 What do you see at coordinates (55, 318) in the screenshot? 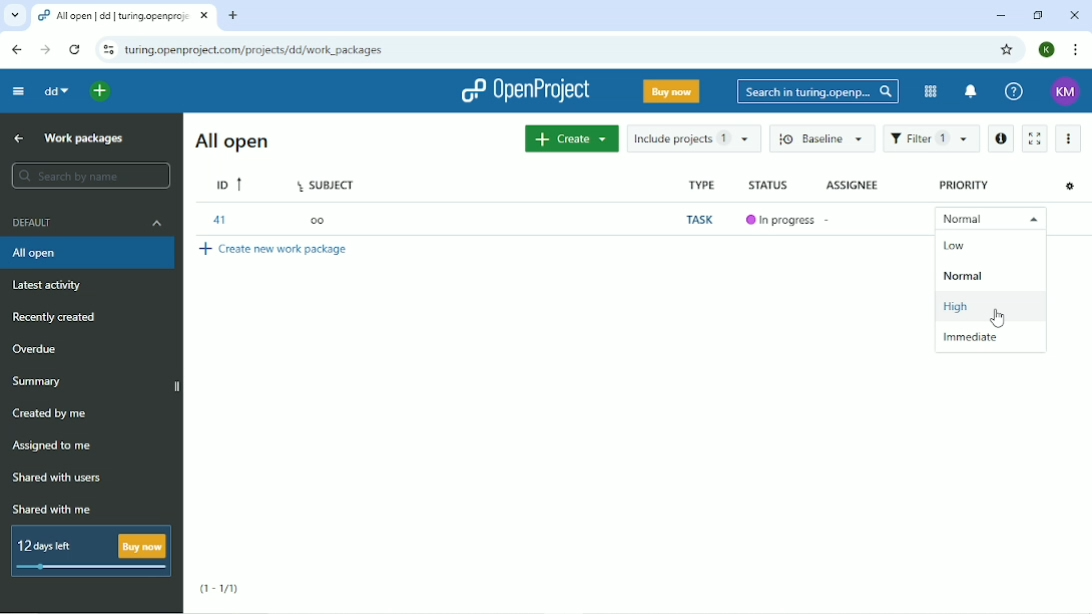
I see `Recently created` at bounding box center [55, 318].